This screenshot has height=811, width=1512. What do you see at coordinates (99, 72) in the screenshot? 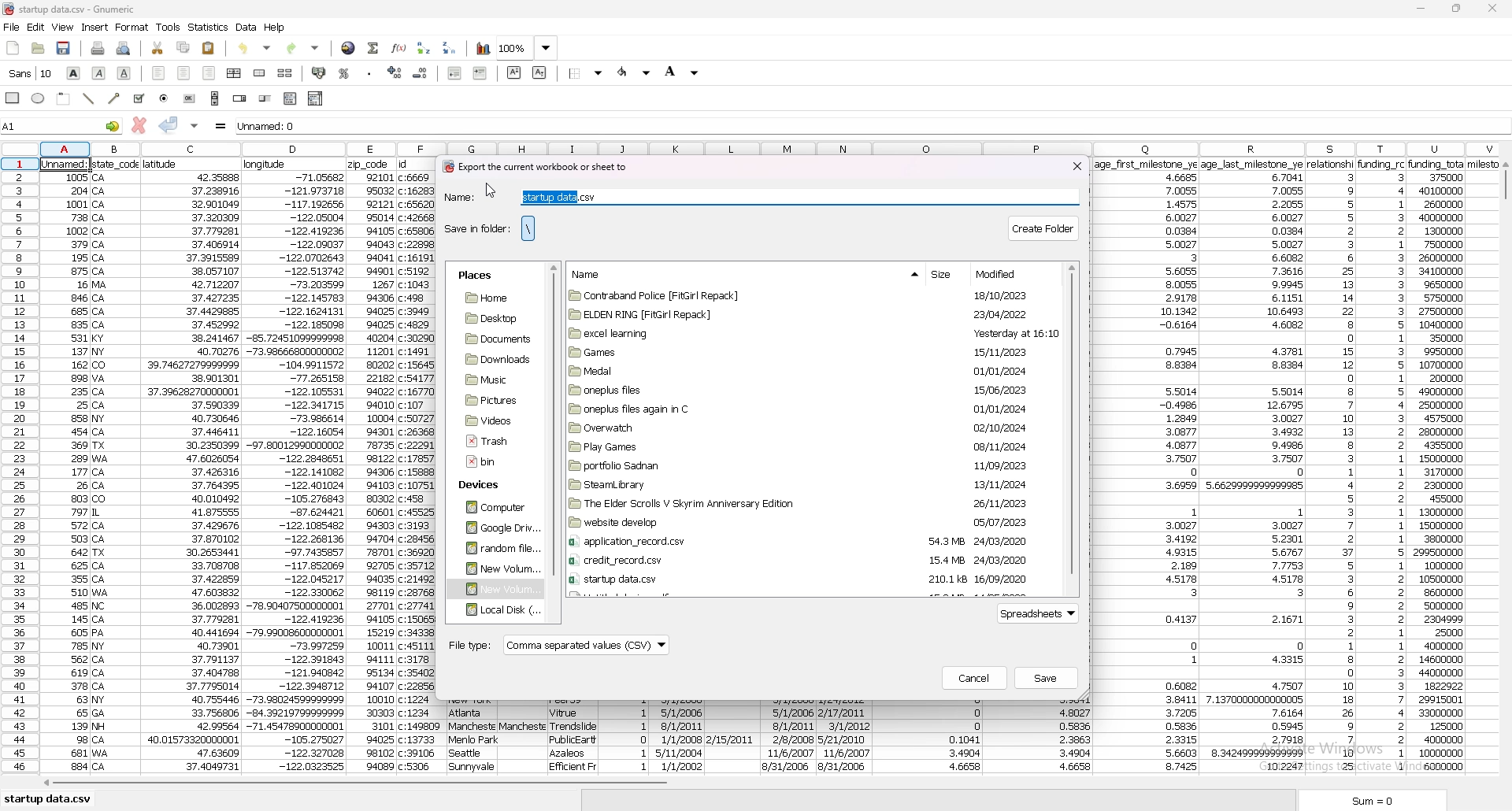
I see `italic` at bounding box center [99, 72].